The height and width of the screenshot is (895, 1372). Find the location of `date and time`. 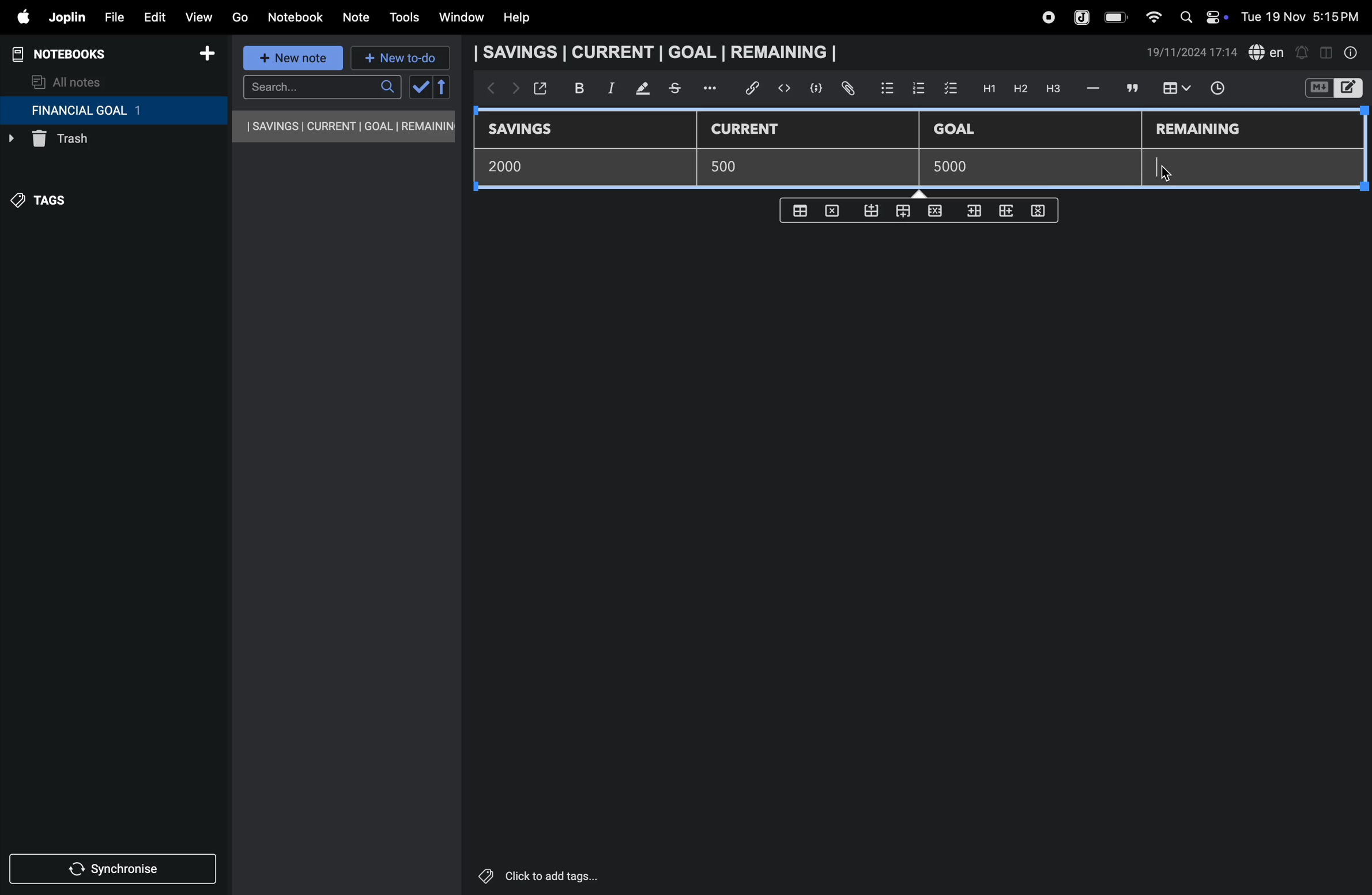

date and time is located at coordinates (1304, 16).